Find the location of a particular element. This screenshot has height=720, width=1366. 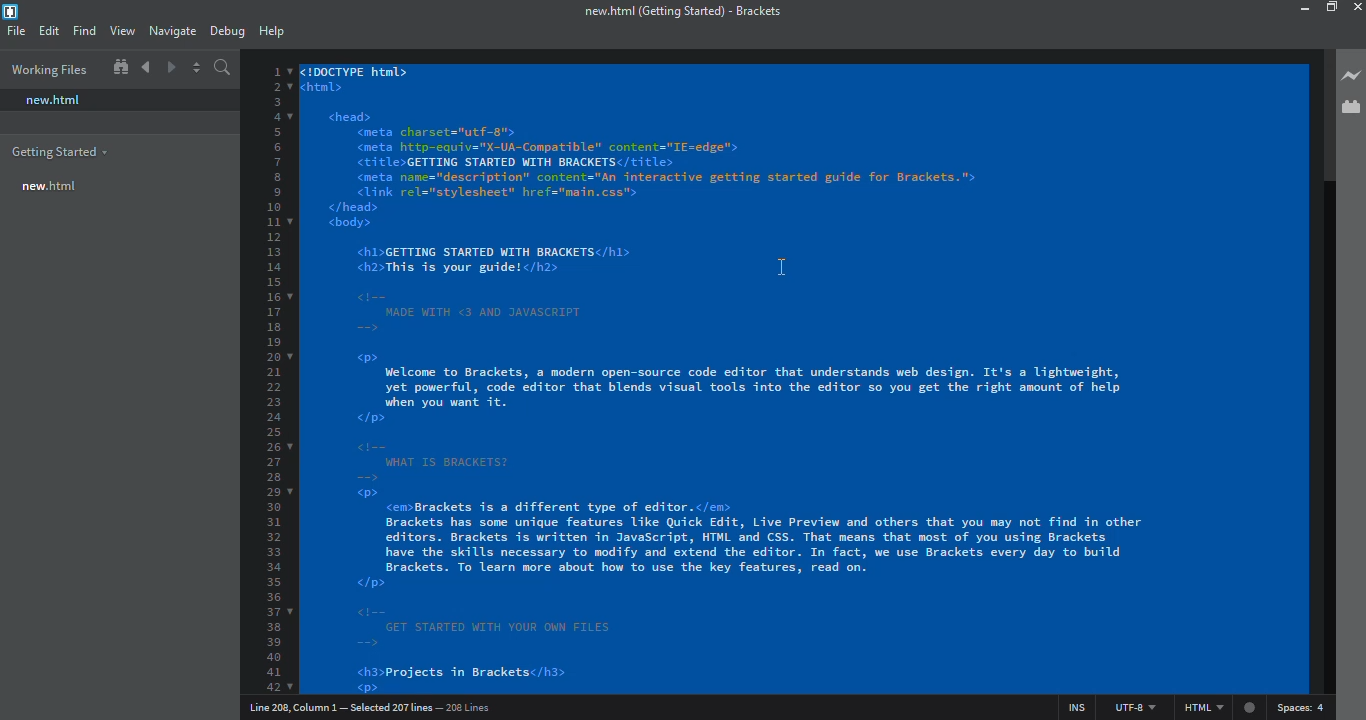

line number is located at coordinates (277, 375).